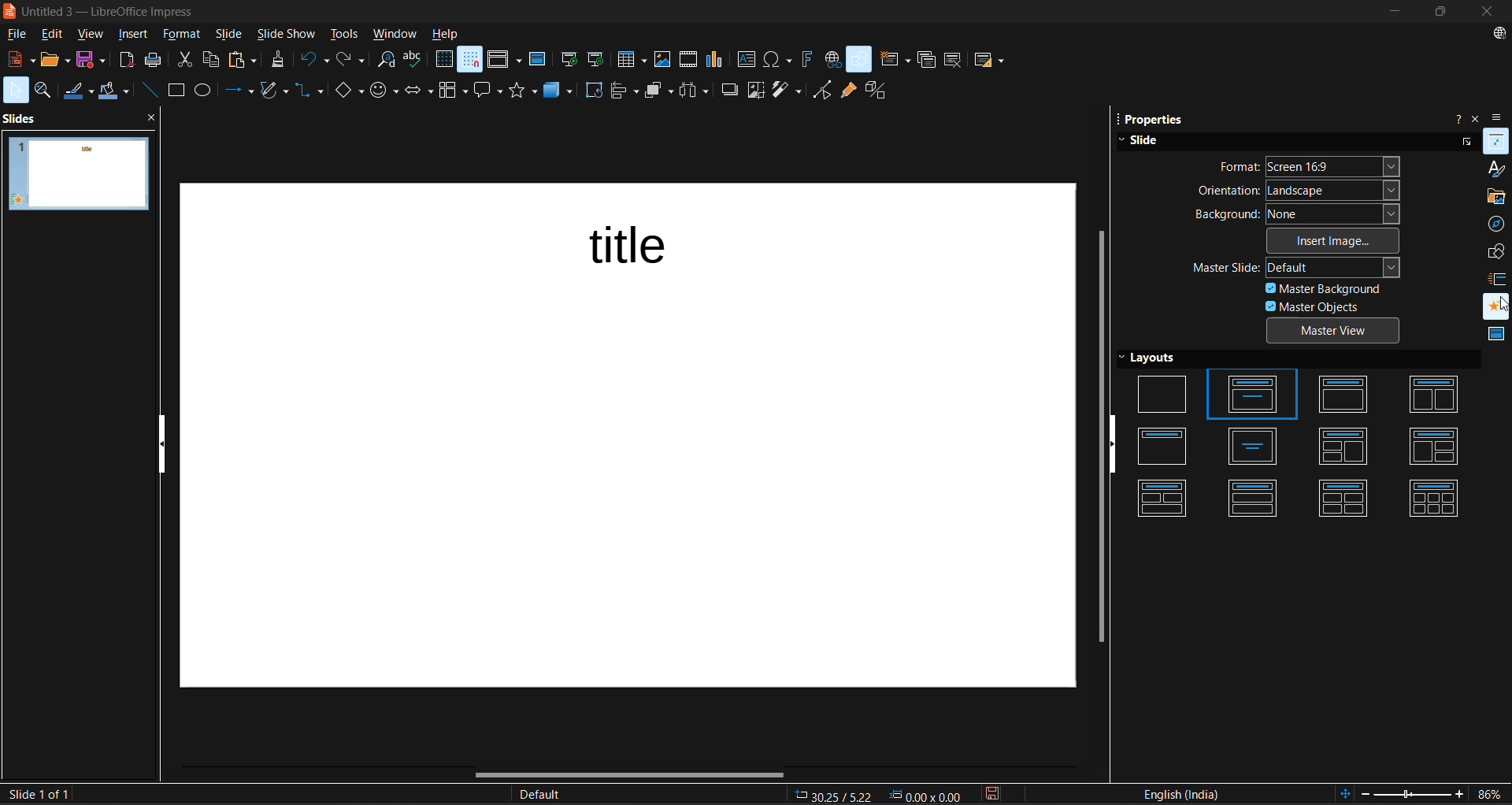  What do you see at coordinates (549, 796) in the screenshot?
I see `slide master name` at bounding box center [549, 796].